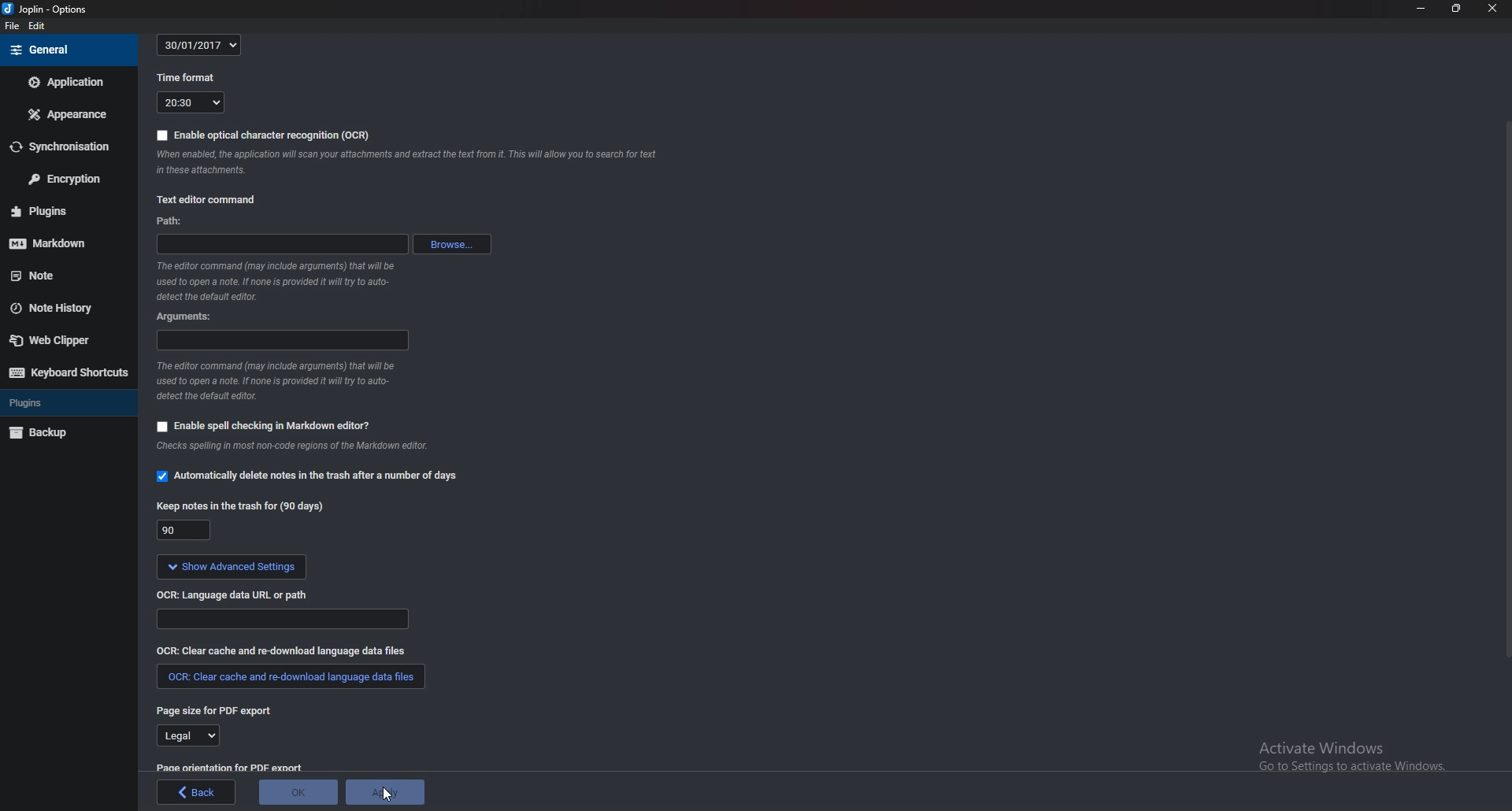 The width and height of the screenshot is (1512, 811). What do you see at coordinates (264, 135) in the screenshot?
I see `Enable O C R` at bounding box center [264, 135].